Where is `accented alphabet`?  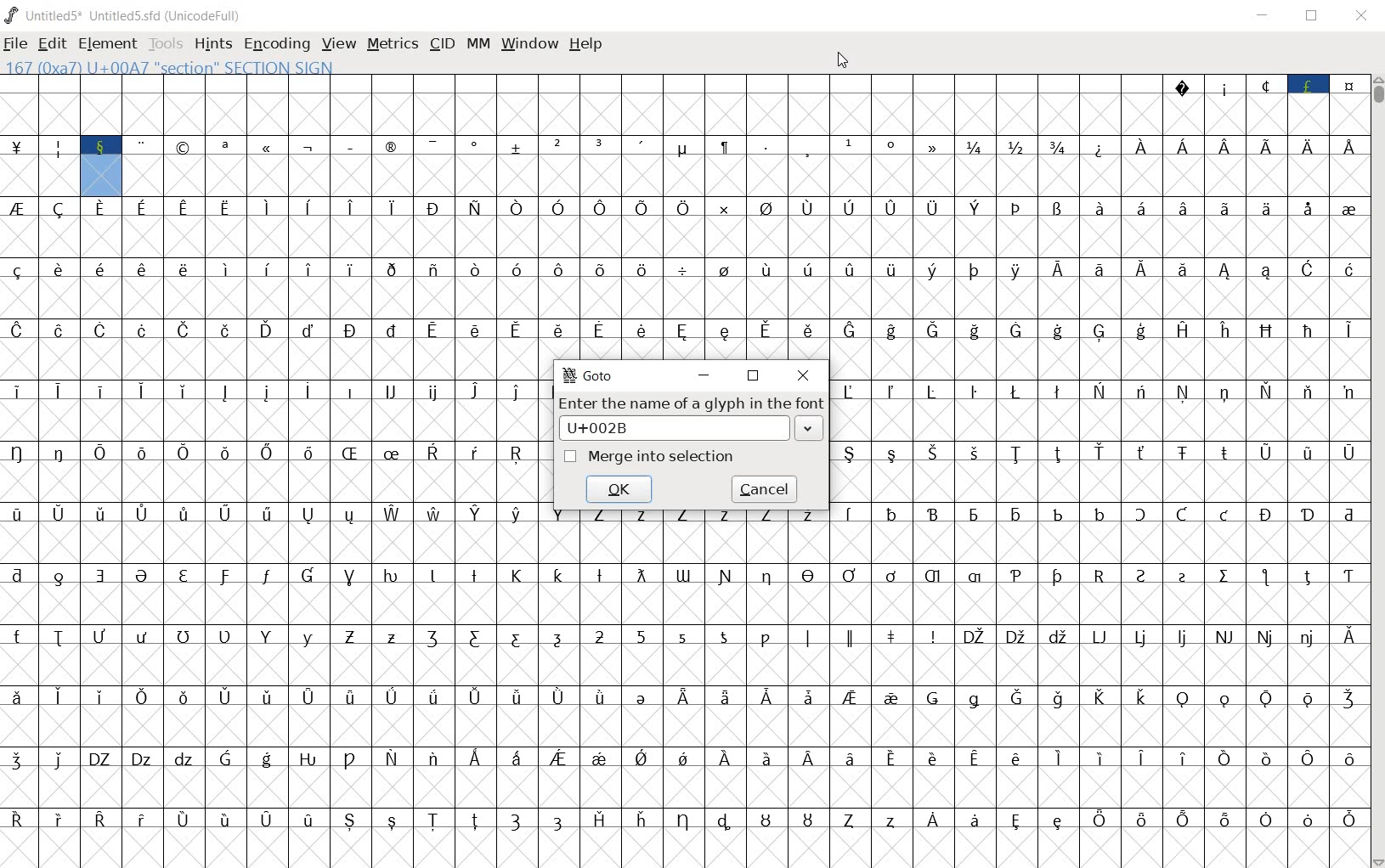
accented alphabet is located at coordinates (432, 286).